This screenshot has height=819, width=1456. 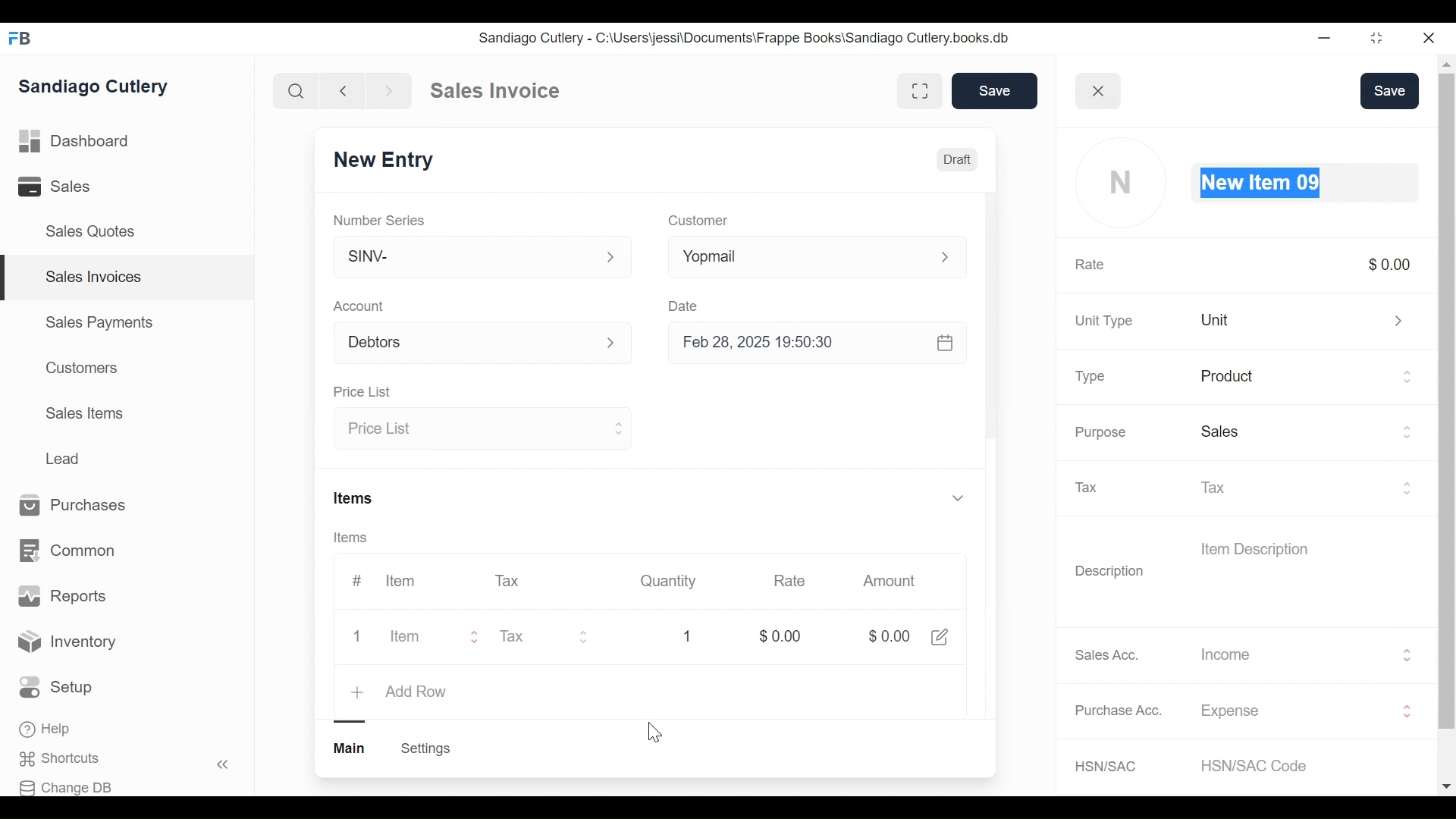 What do you see at coordinates (402, 690) in the screenshot?
I see `+ add row` at bounding box center [402, 690].